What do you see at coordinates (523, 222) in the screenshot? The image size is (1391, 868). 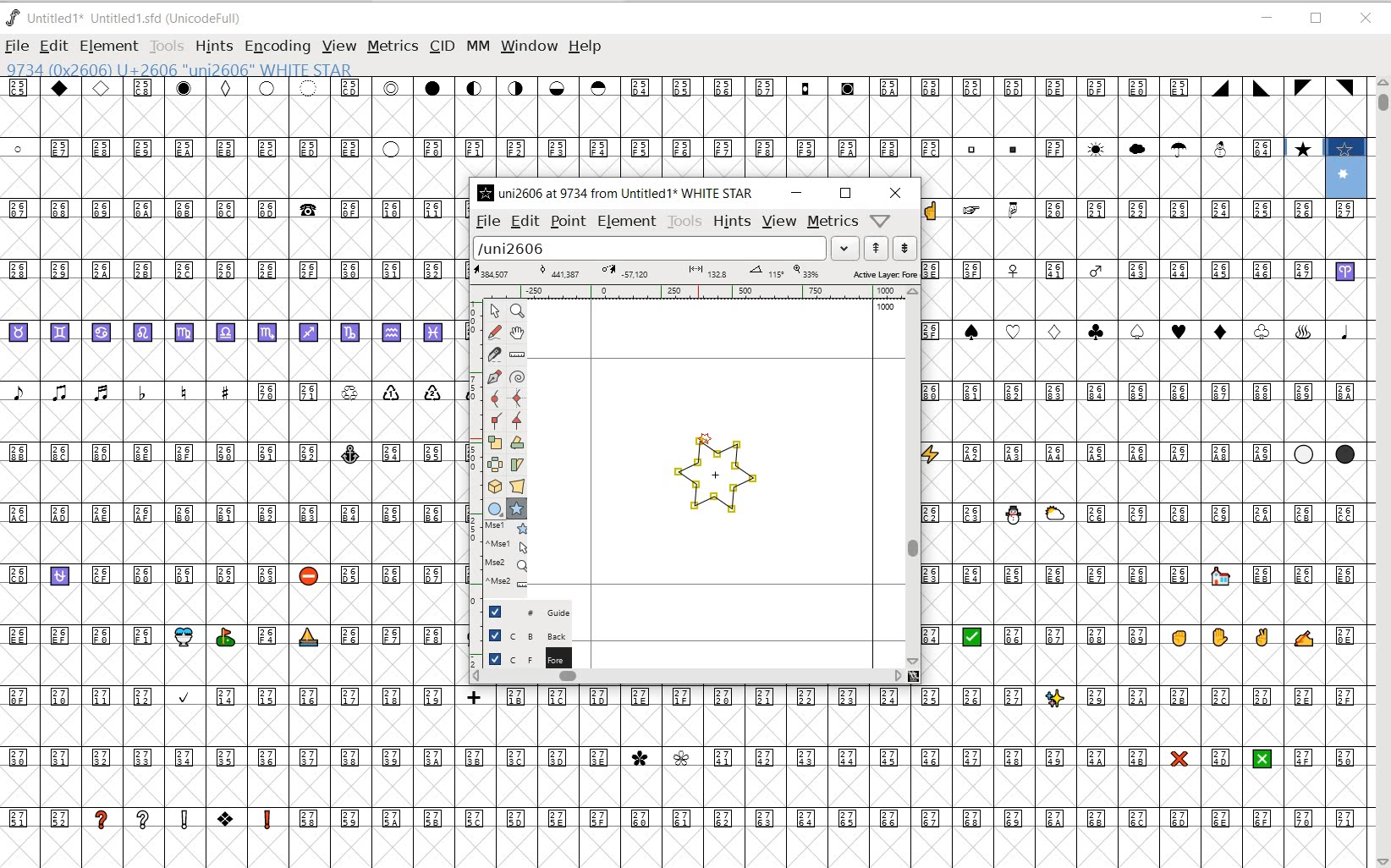 I see `EDIT` at bounding box center [523, 222].